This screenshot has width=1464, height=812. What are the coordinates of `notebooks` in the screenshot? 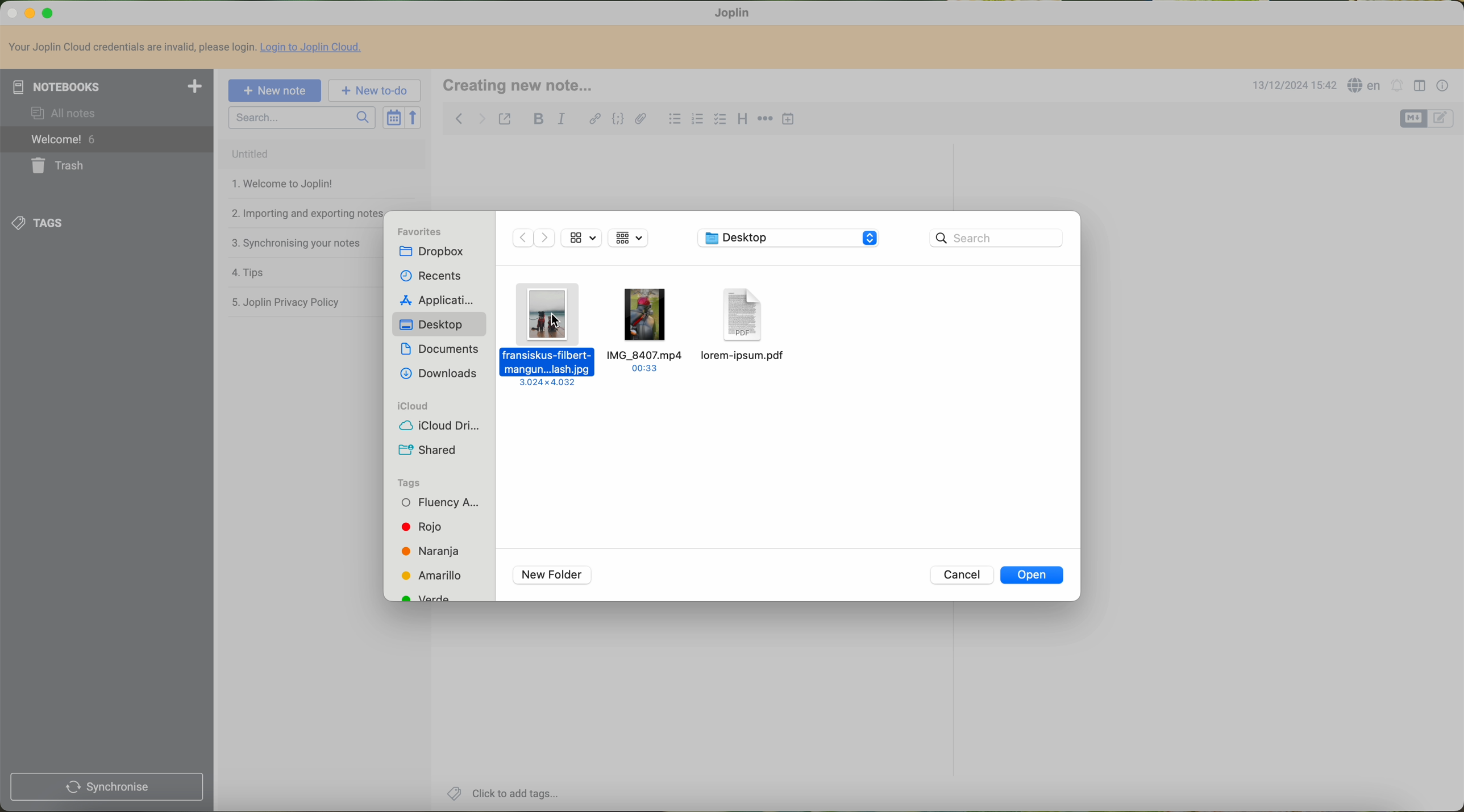 It's located at (107, 86).